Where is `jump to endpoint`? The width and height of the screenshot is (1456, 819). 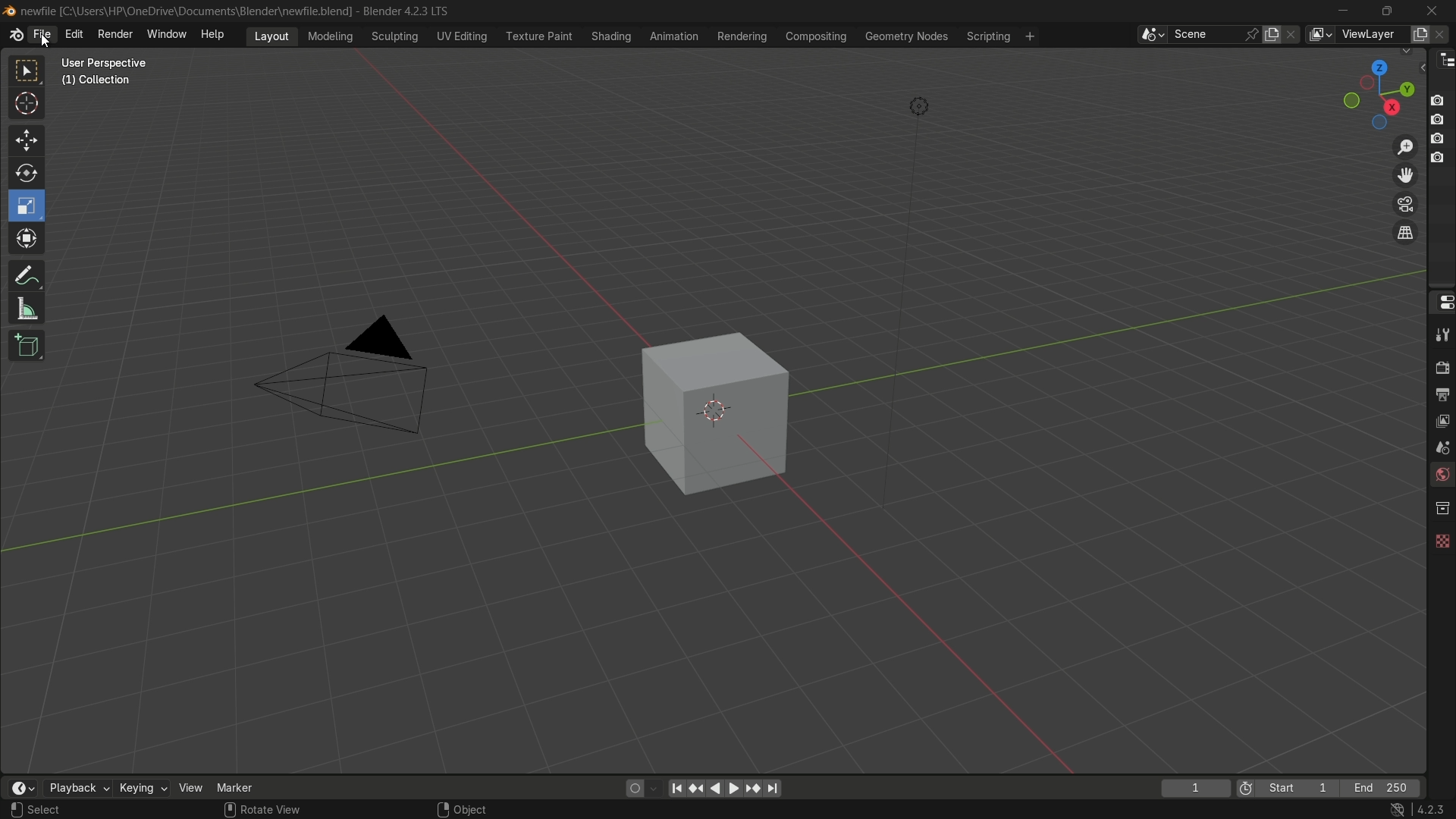
jump to endpoint is located at coordinates (676, 787).